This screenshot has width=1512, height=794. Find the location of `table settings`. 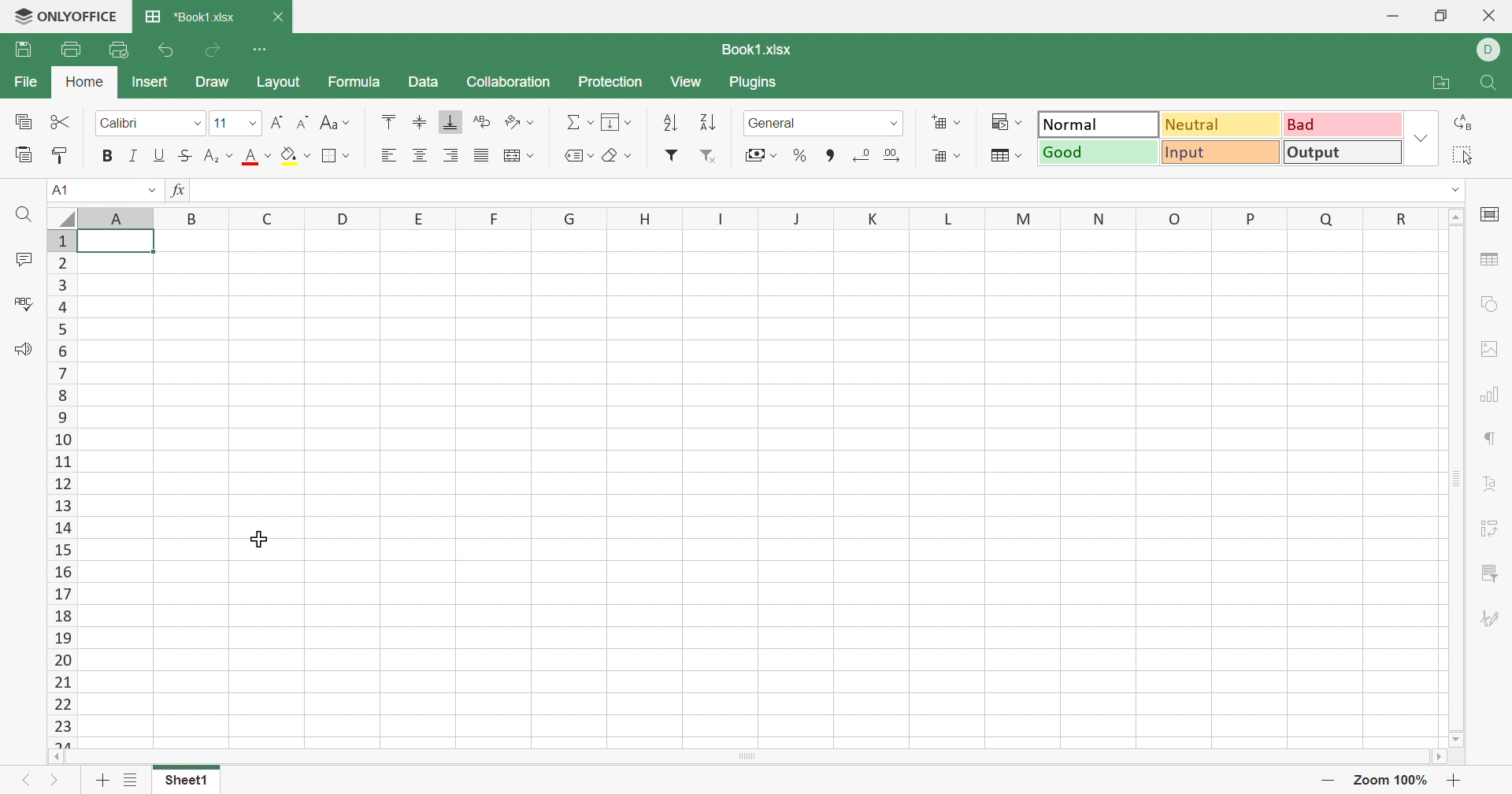

table settings is located at coordinates (1493, 262).